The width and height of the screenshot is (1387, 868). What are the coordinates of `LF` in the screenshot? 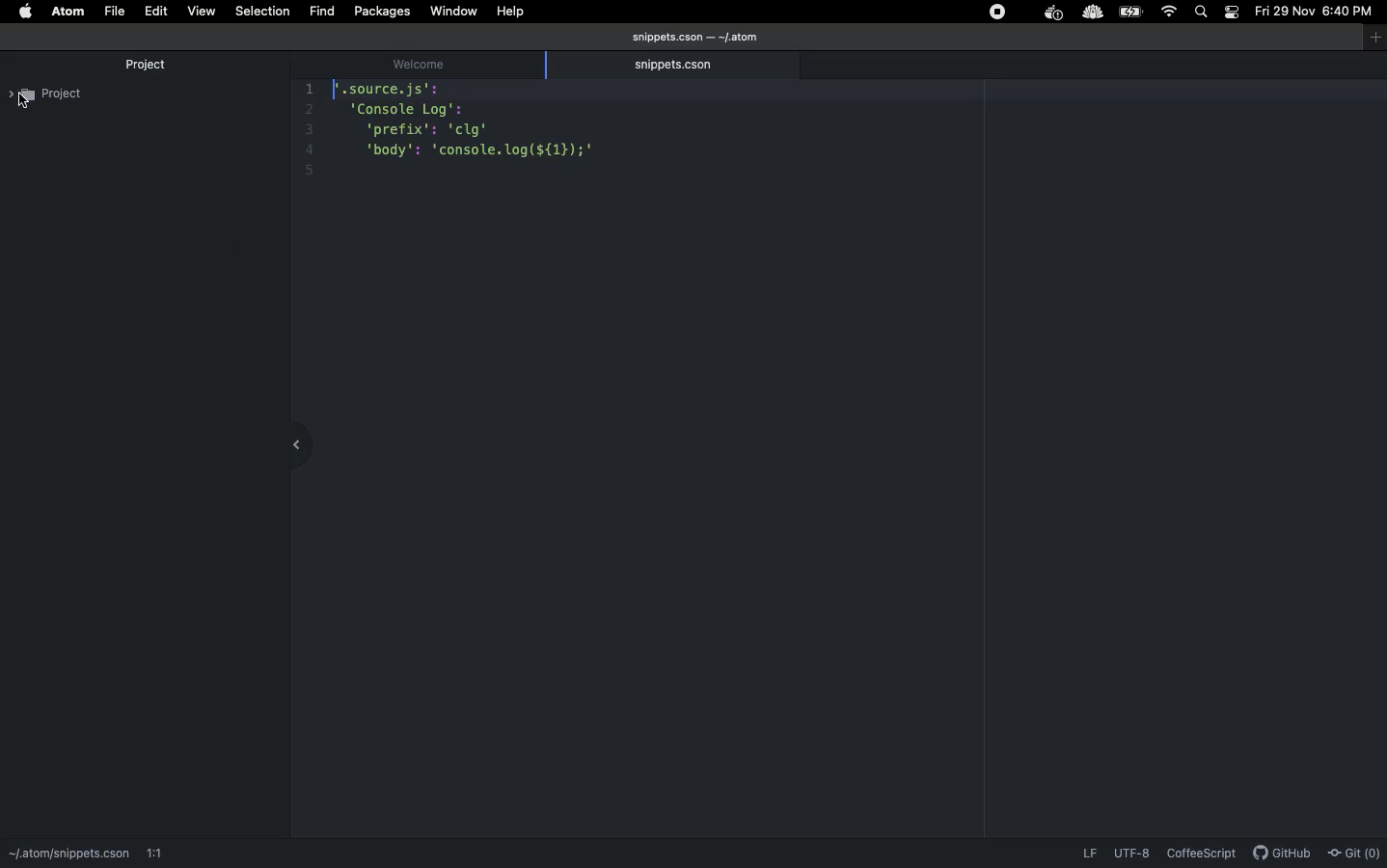 It's located at (1092, 853).